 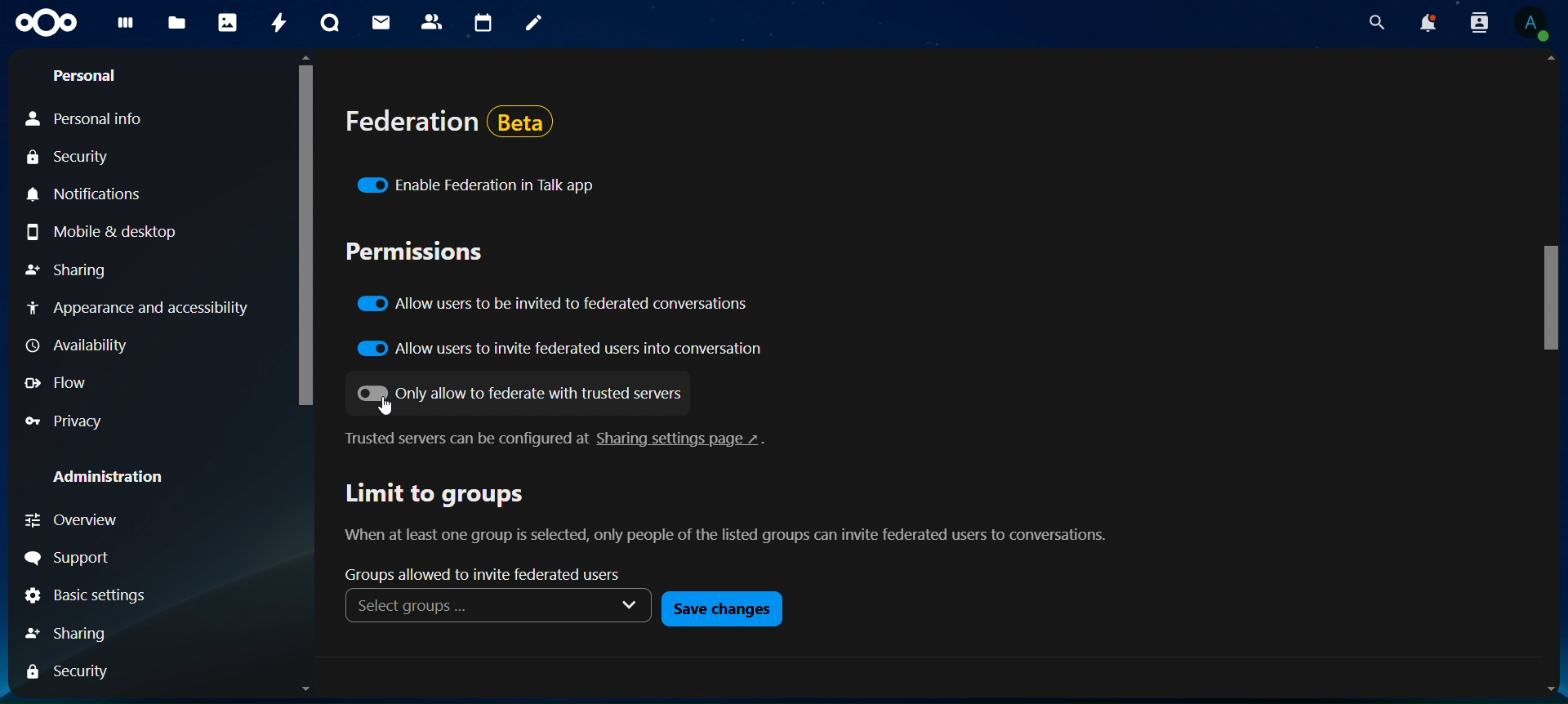 I want to click on text, so click(x=563, y=439).